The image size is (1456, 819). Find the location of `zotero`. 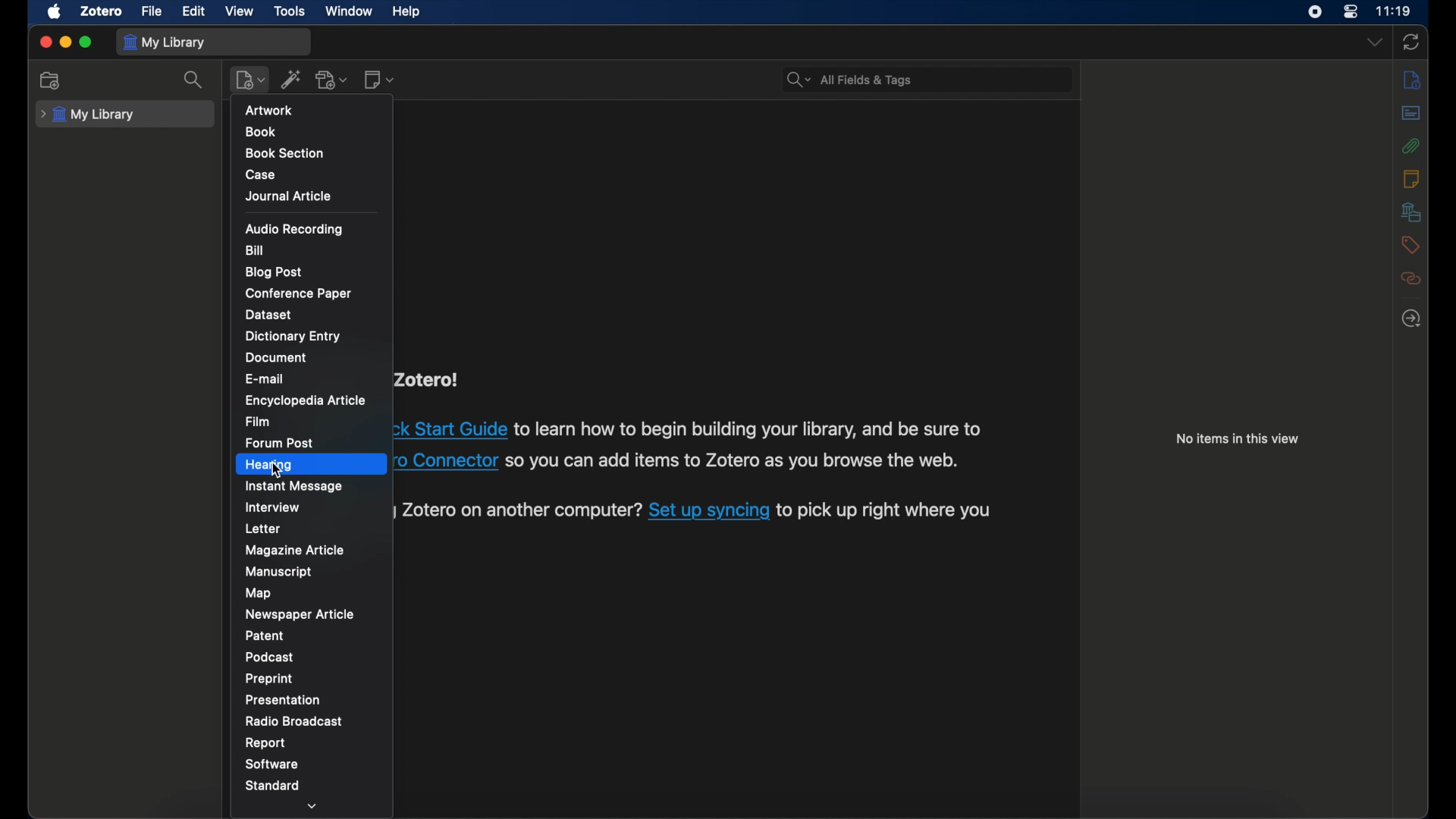

zotero is located at coordinates (99, 11).